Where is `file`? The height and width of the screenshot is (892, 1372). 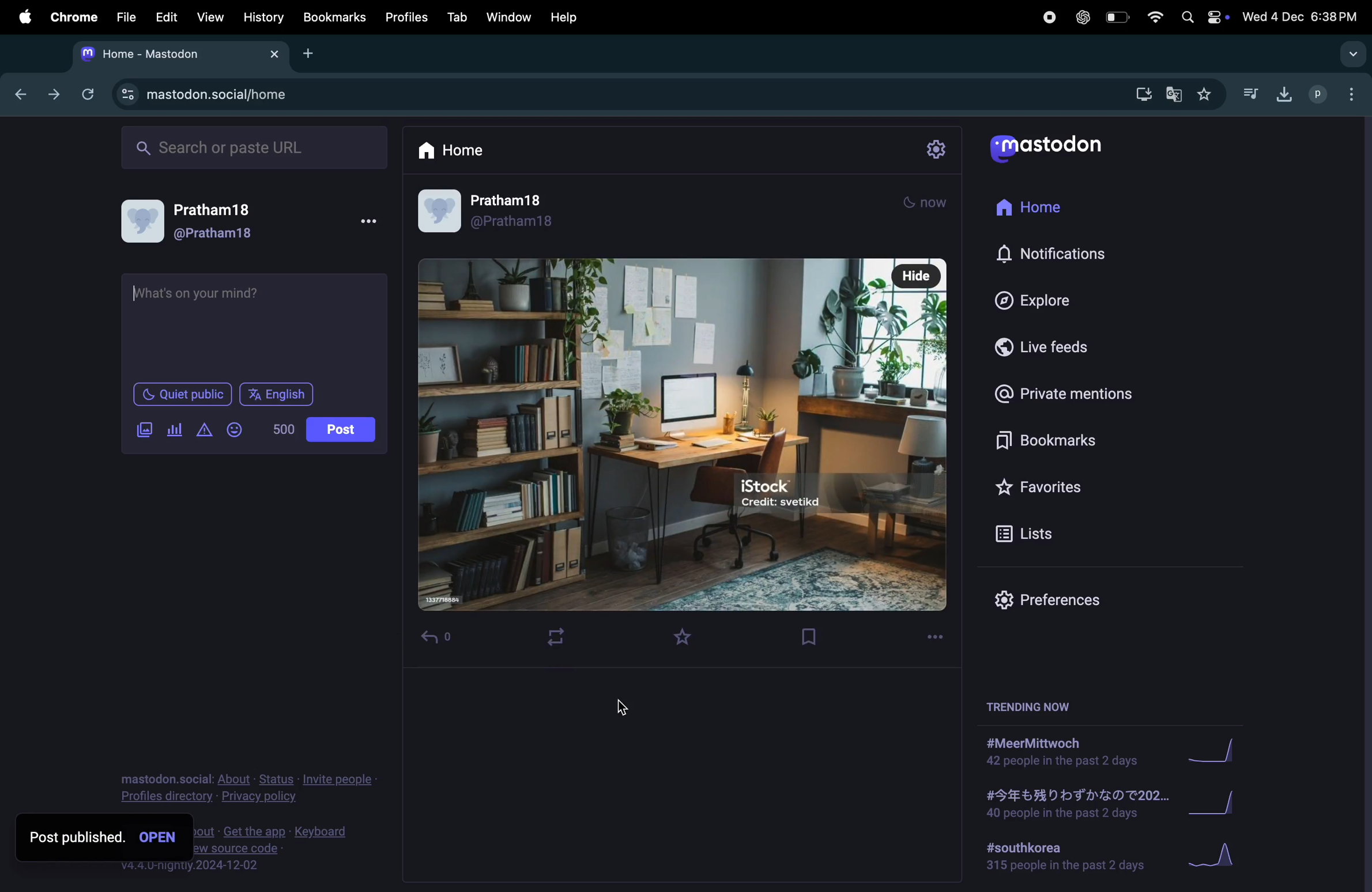 file is located at coordinates (125, 14).